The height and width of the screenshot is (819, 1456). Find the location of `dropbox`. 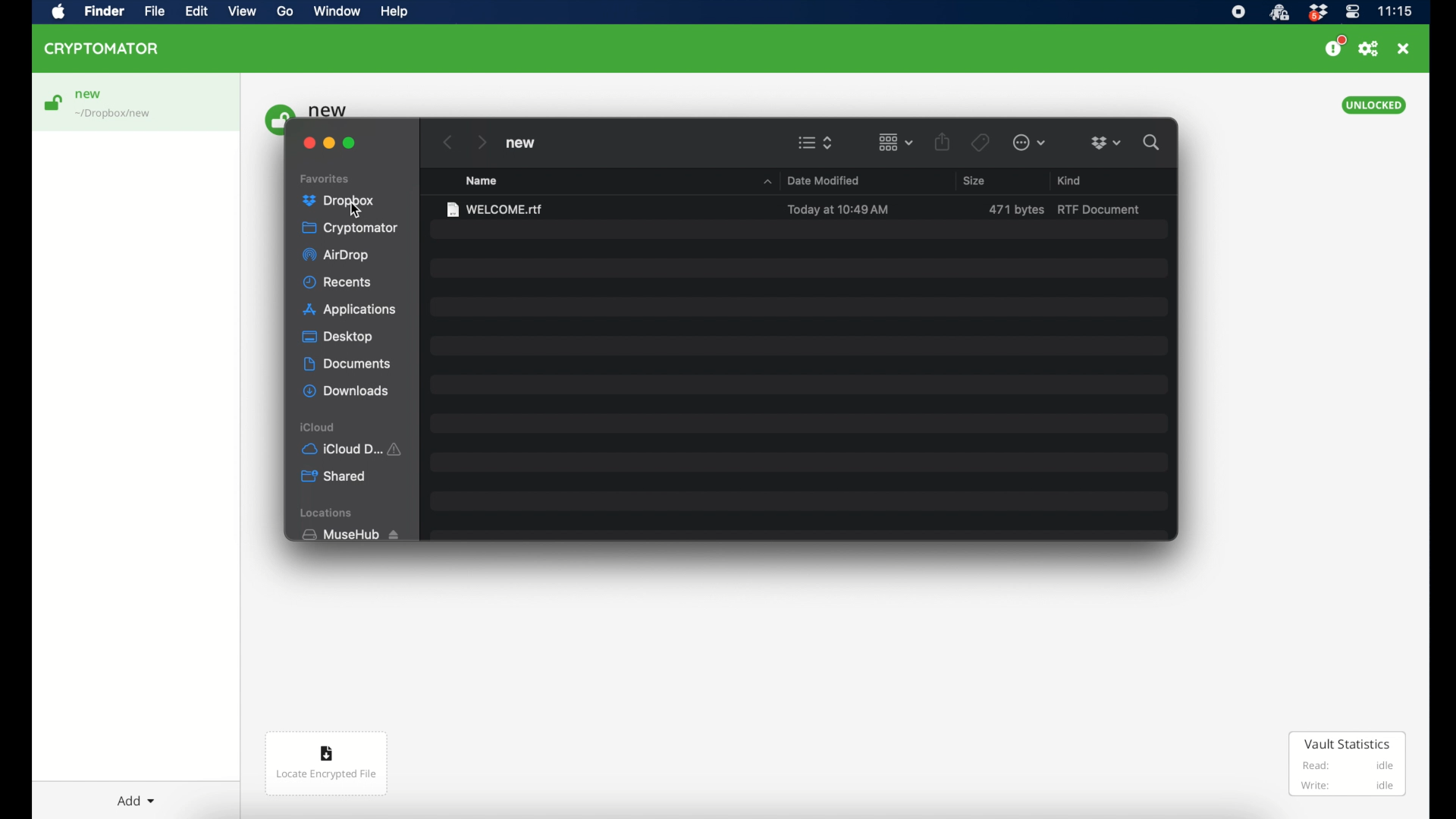

dropbox is located at coordinates (338, 201).